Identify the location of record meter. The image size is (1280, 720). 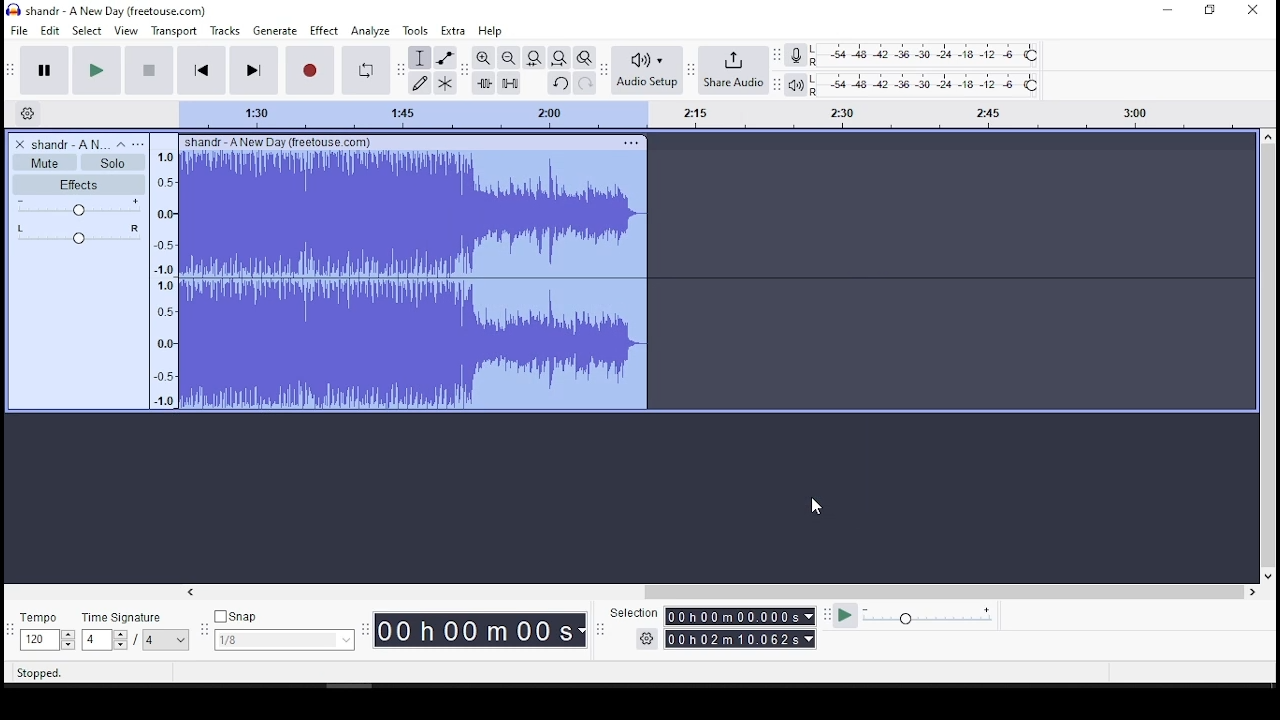
(797, 56).